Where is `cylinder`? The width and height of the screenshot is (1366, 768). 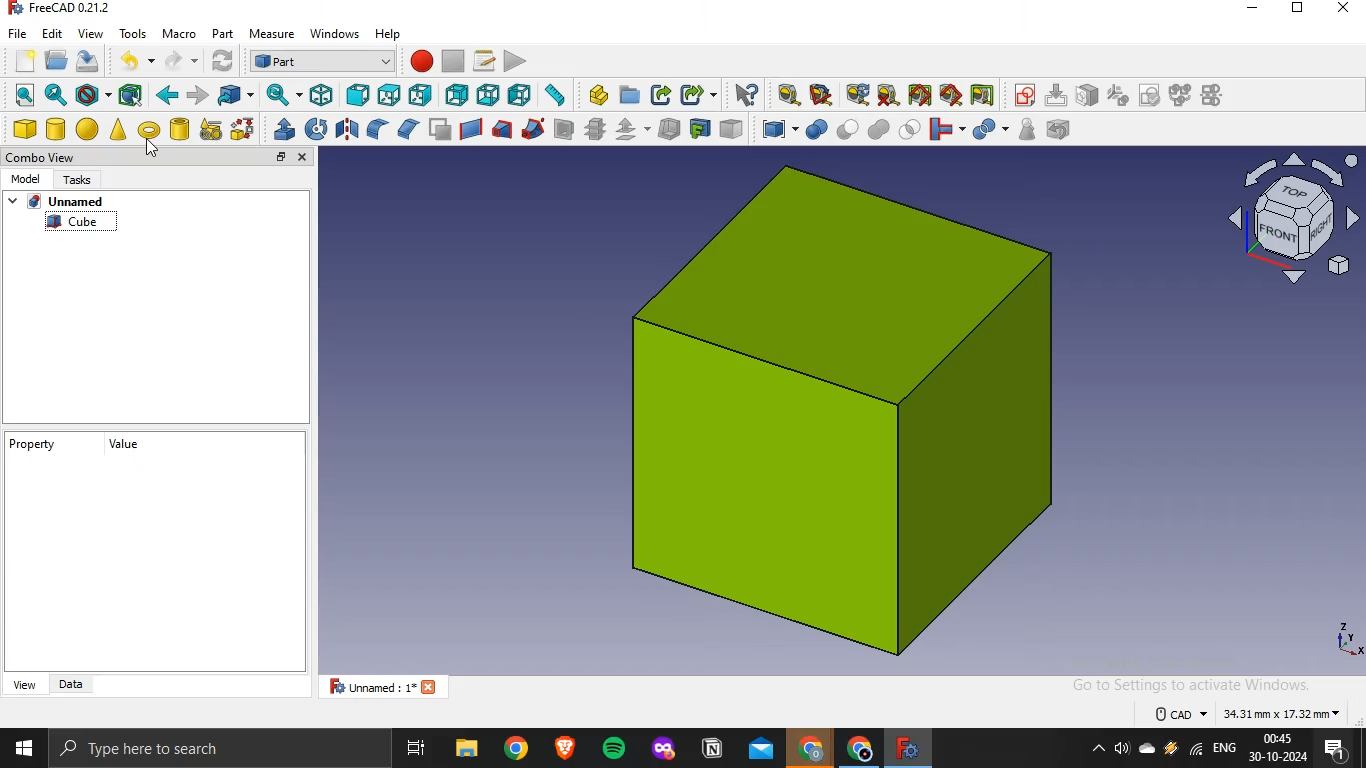
cylinder is located at coordinates (57, 129).